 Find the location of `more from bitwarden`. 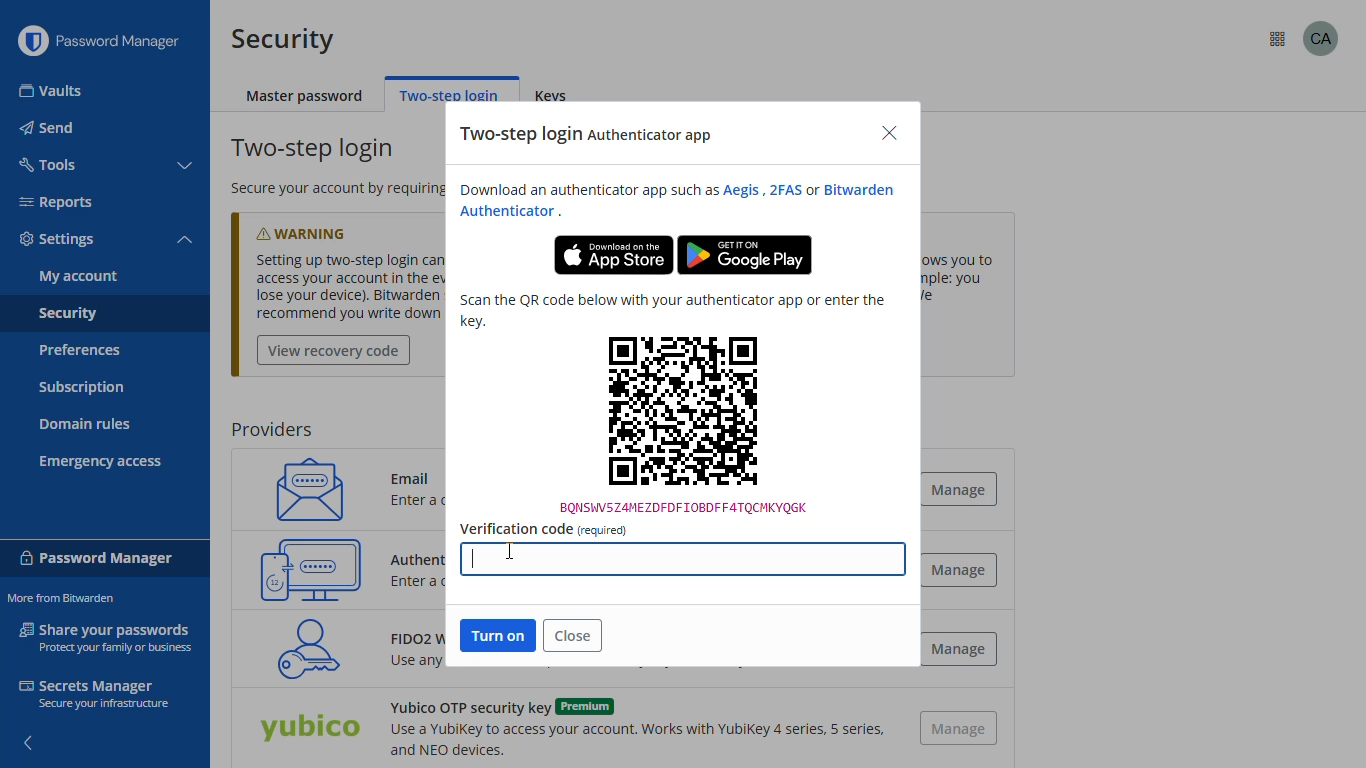

more from bitwarden is located at coordinates (60, 598).